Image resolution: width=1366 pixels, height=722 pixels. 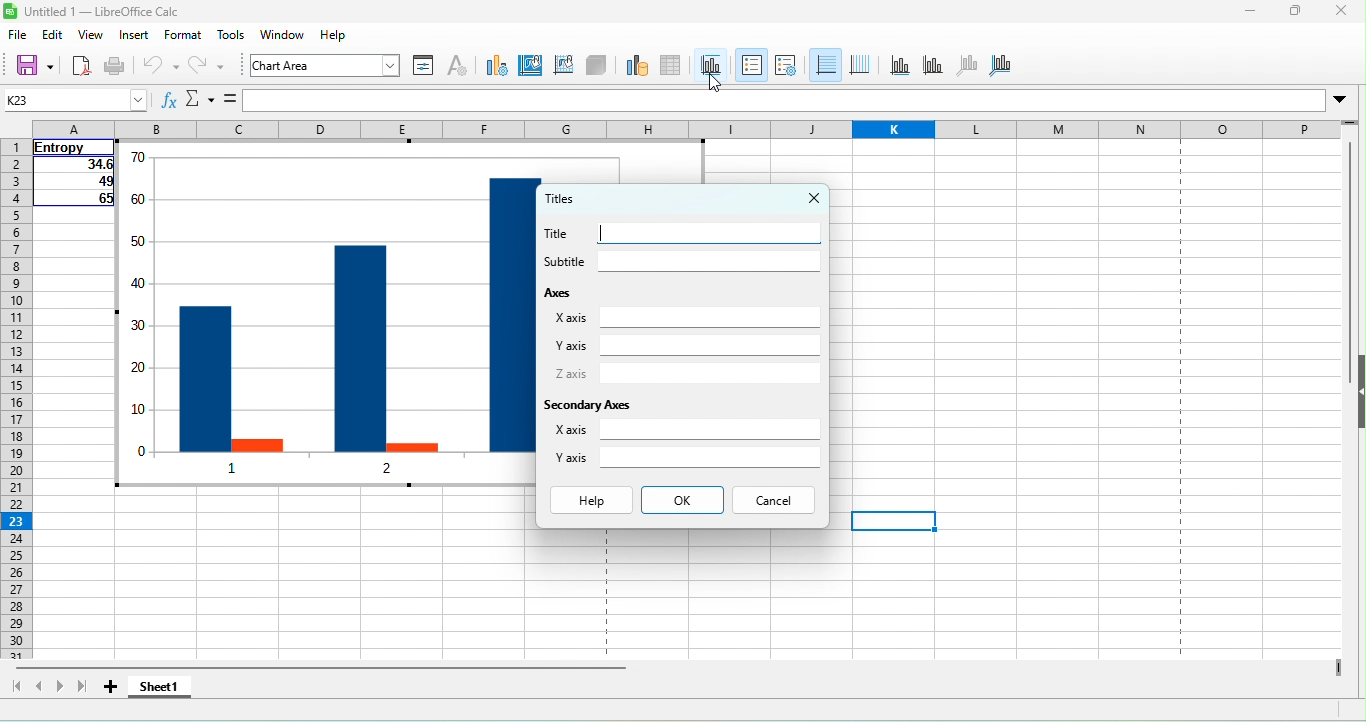 What do you see at coordinates (234, 466) in the screenshot?
I see `1` at bounding box center [234, 466].